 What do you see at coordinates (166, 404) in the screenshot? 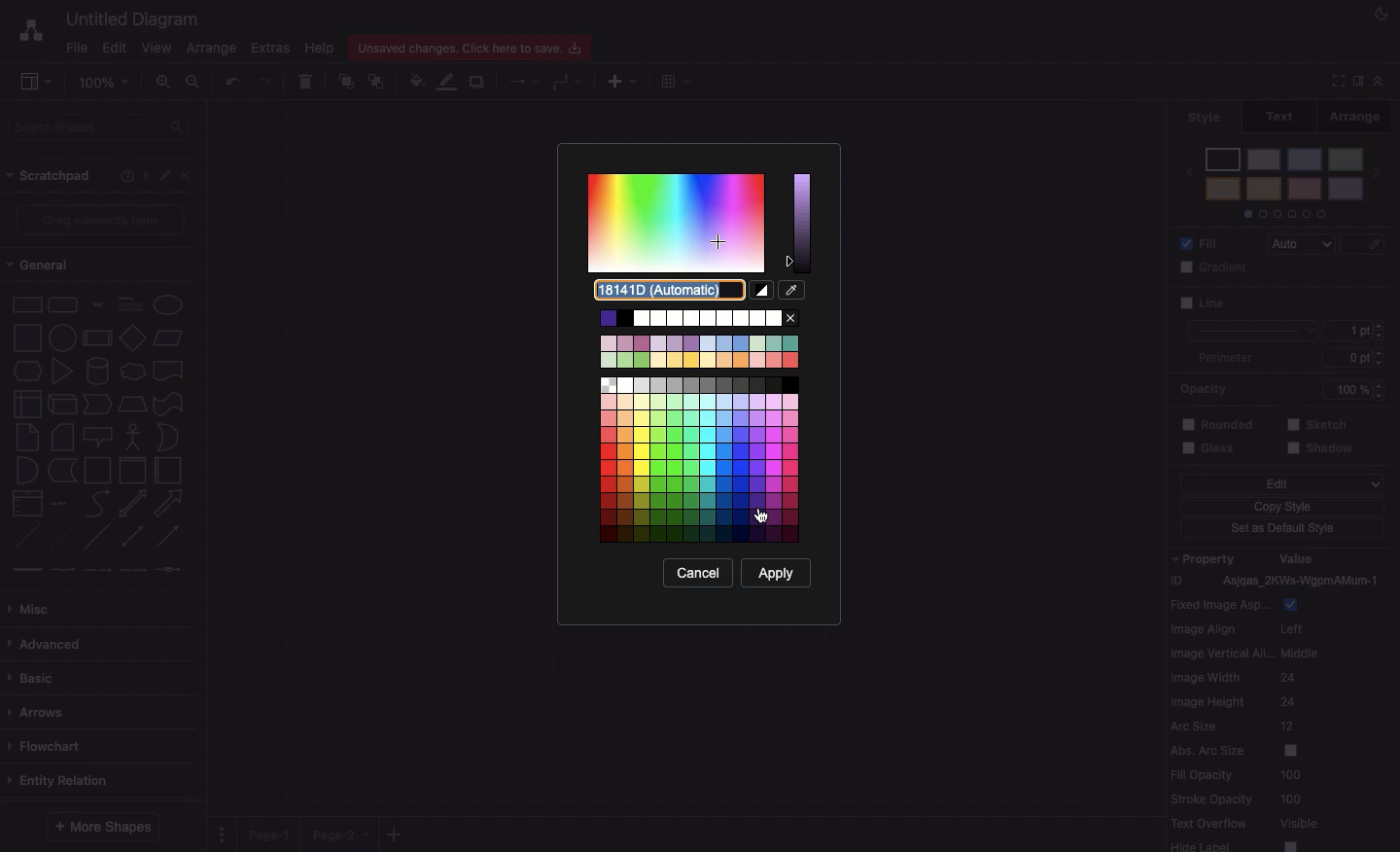
I see `tape` at bounding box center [166, 404].